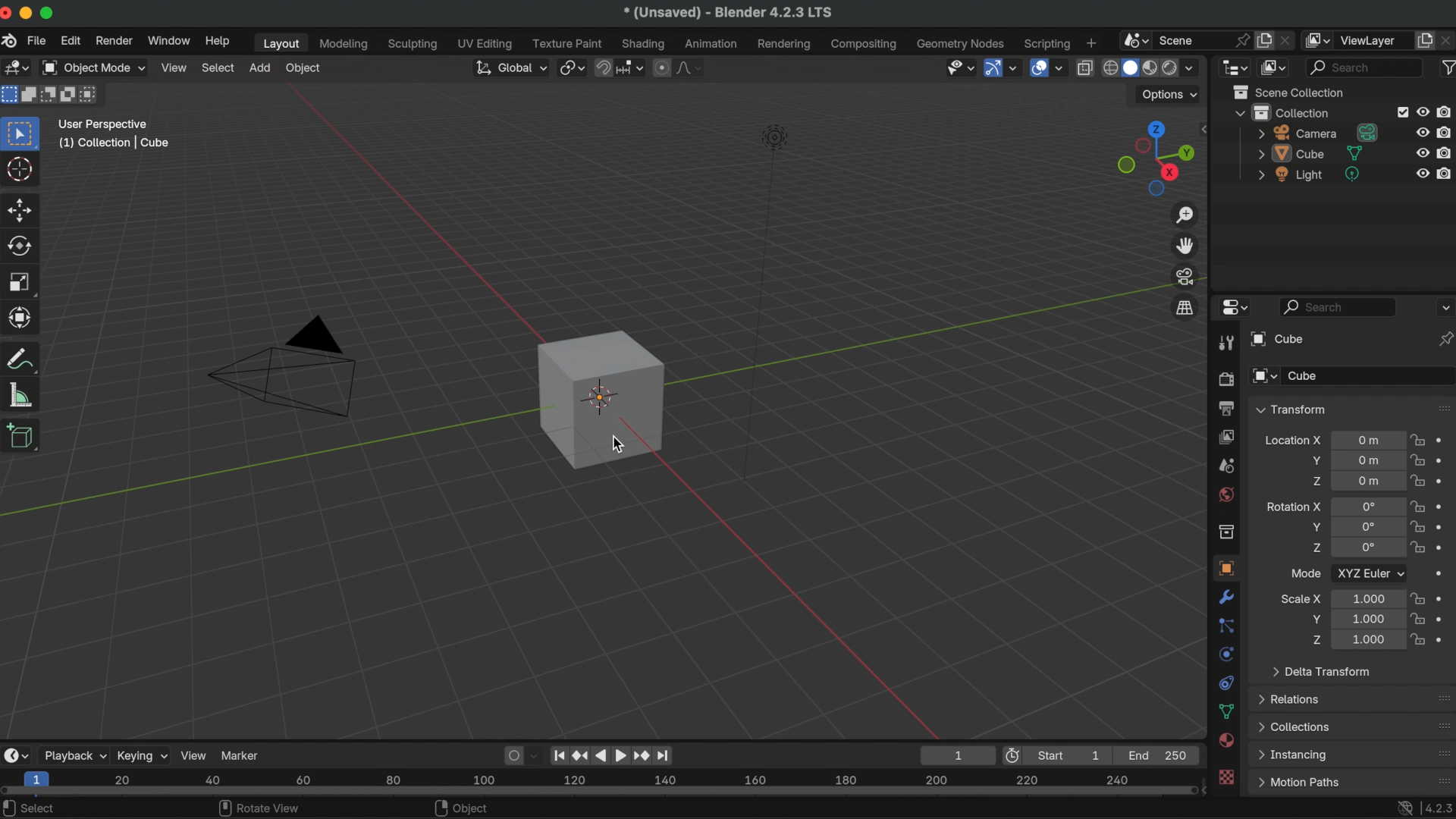 This screenshot has width=1456, height=819. I want to click on animate property, so click(1444, 618).